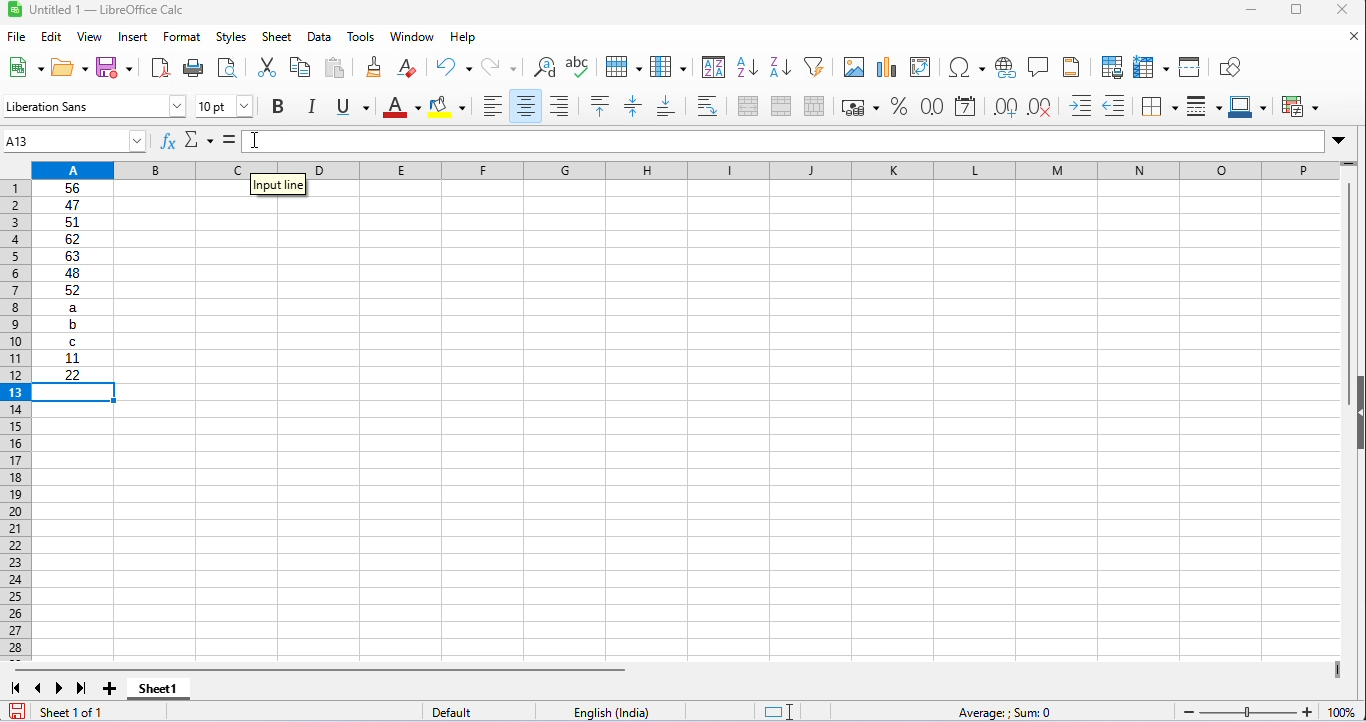 The height and width of the screenshot is (722, 1366). I want to click on font color, so click(402, 107).